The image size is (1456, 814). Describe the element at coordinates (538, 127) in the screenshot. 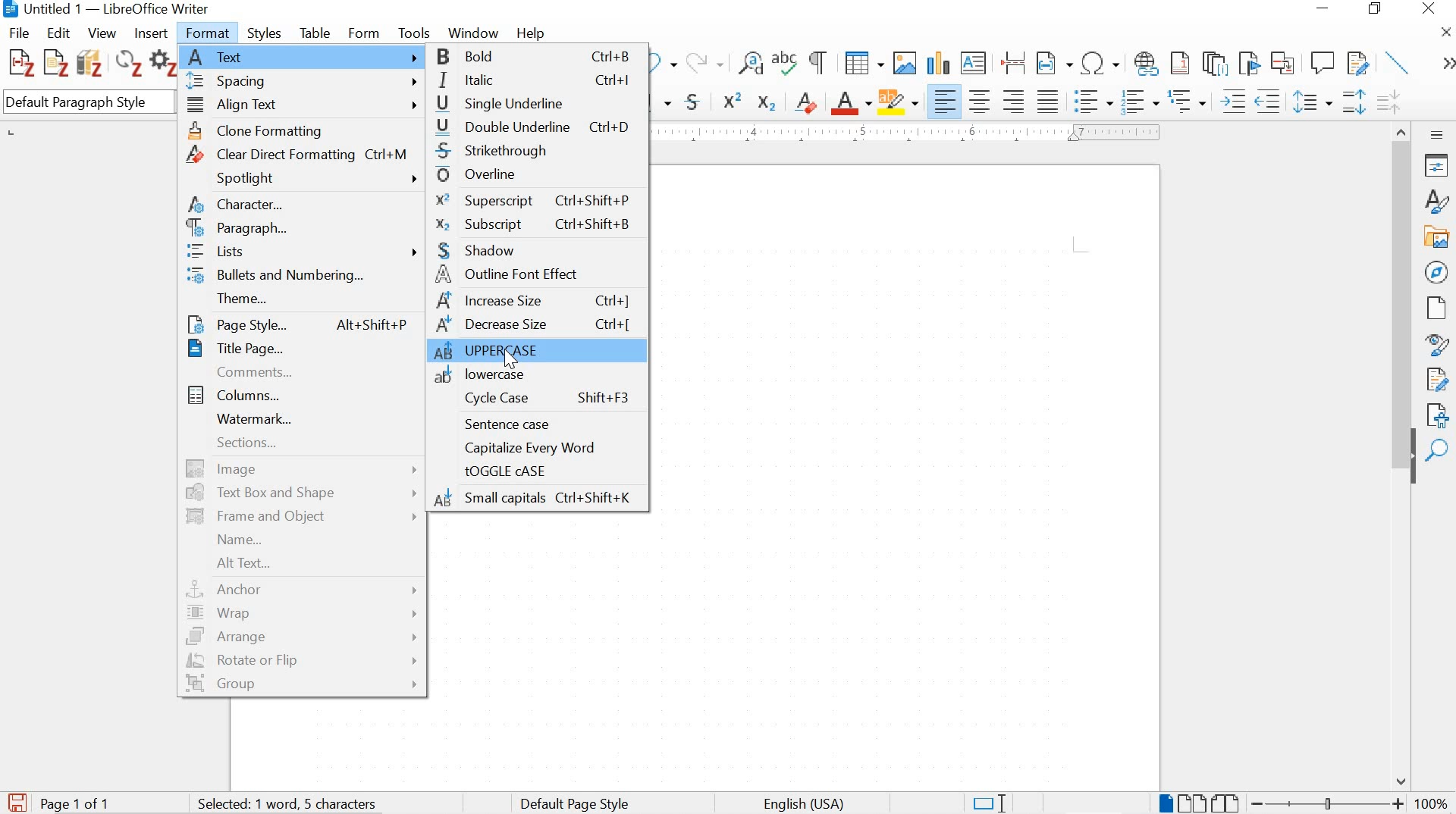

I see `double underline` at that location.